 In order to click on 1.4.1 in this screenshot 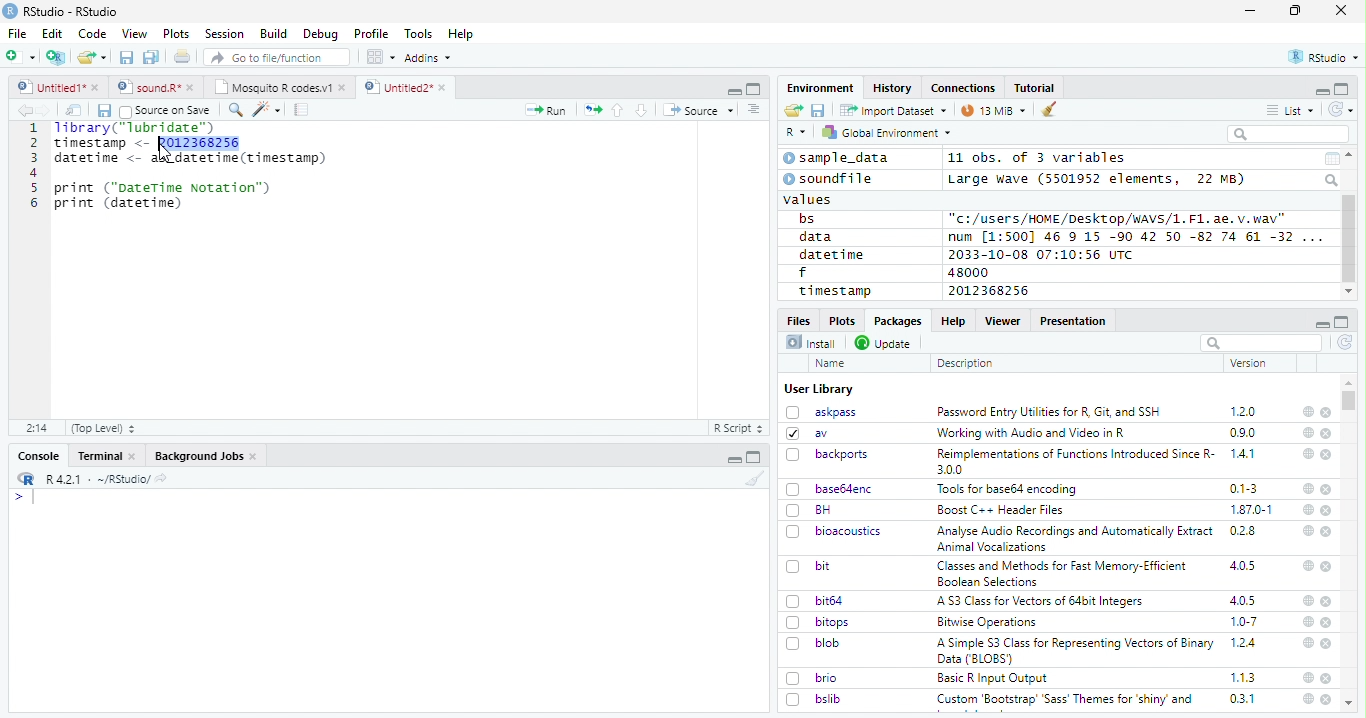, I will do `click(1244, 453)`.